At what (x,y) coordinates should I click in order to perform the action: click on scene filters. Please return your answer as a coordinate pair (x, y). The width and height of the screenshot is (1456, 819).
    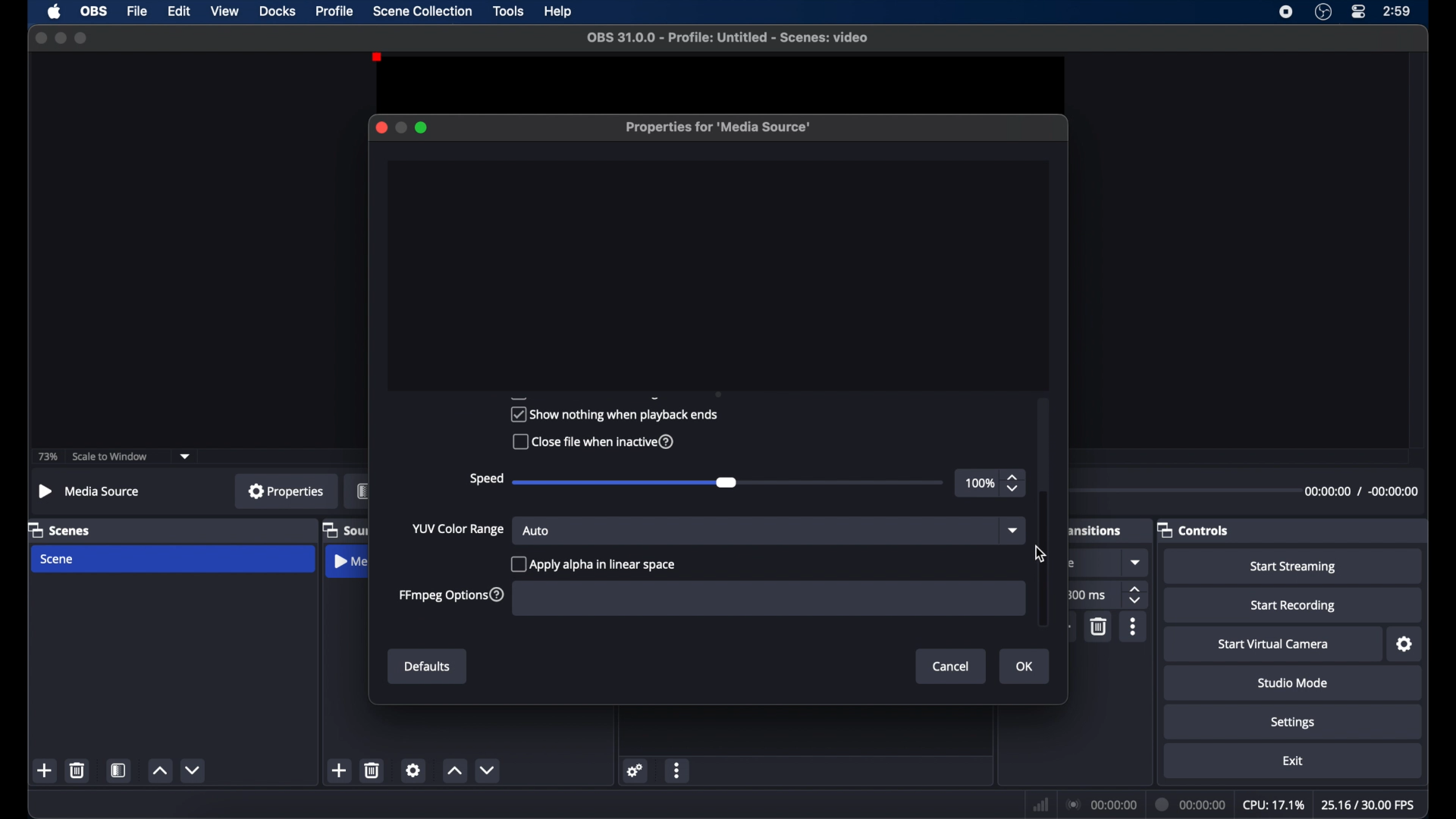
    Looking at the image, I should click on (118, 770).